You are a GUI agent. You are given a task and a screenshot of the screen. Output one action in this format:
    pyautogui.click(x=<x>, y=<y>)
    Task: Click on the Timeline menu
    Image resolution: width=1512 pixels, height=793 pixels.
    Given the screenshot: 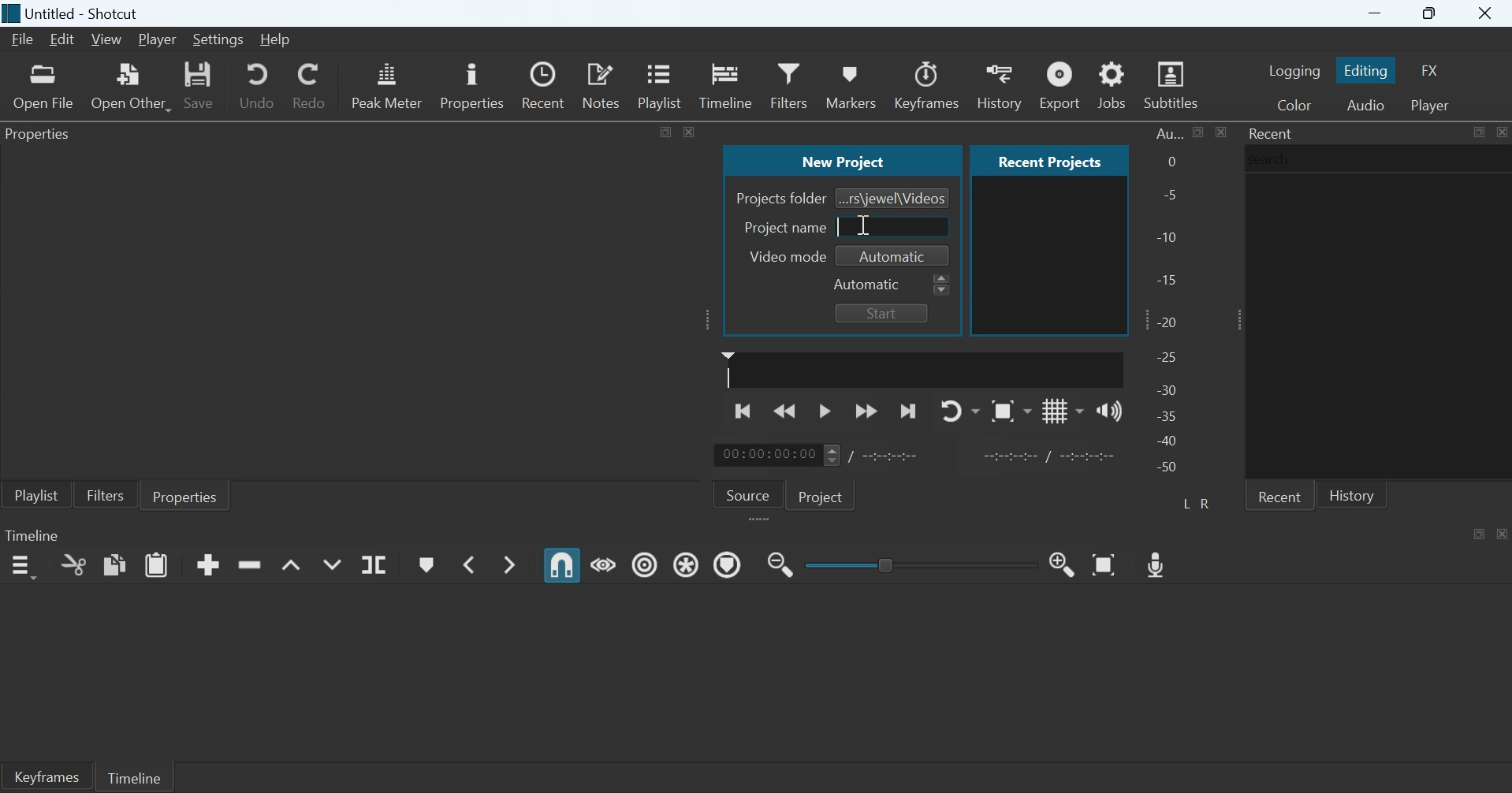 What is the action you would take?
    pyautogui.click(x=22, y=567)
    